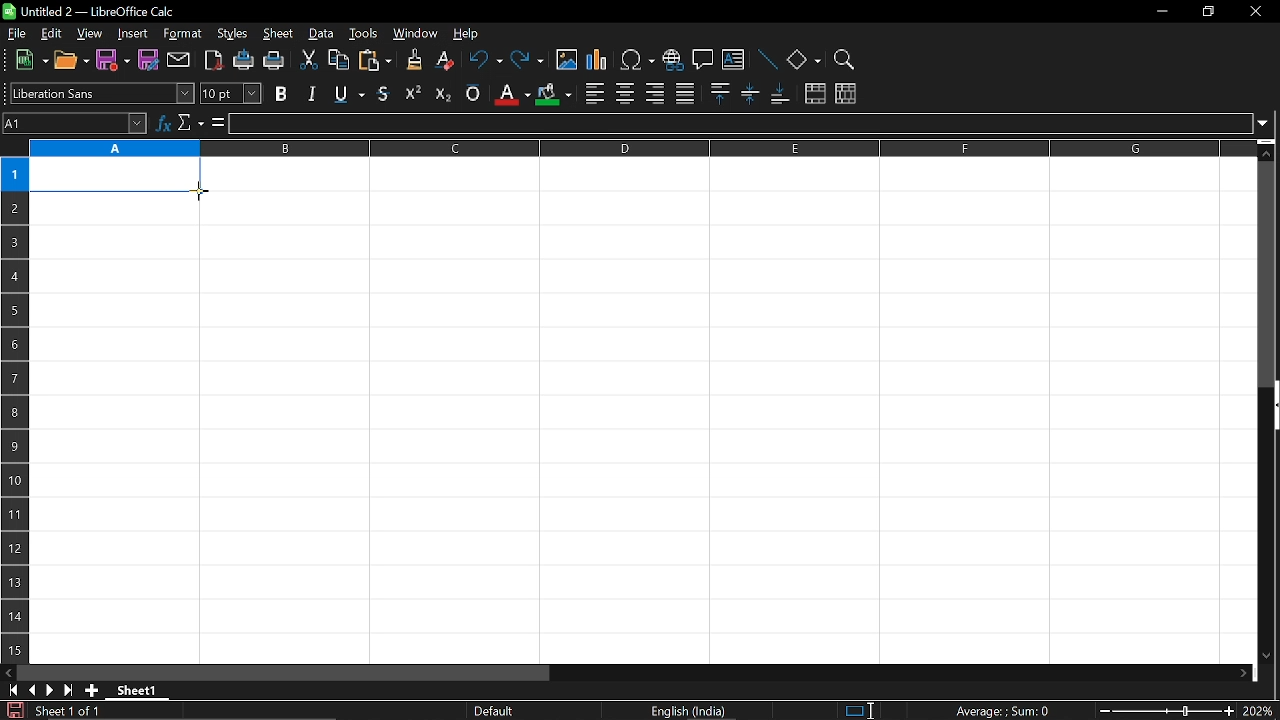 The width and height of the screenshot is (1280, 720). Describe the element at coordinates (1269, 151) in the screenshot. I see `move up` at that location.